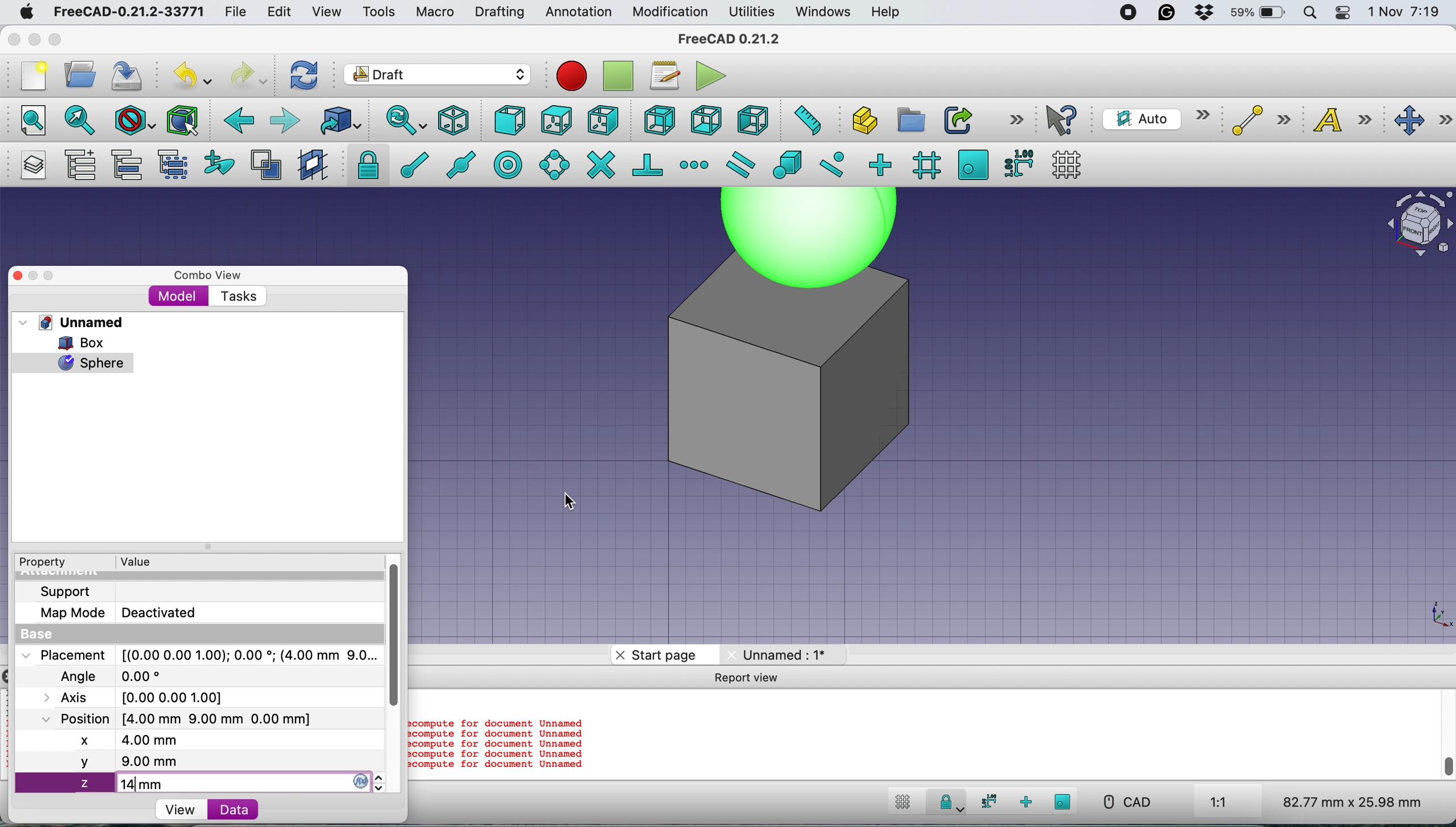  I want to click on backward, so click(236, 120).